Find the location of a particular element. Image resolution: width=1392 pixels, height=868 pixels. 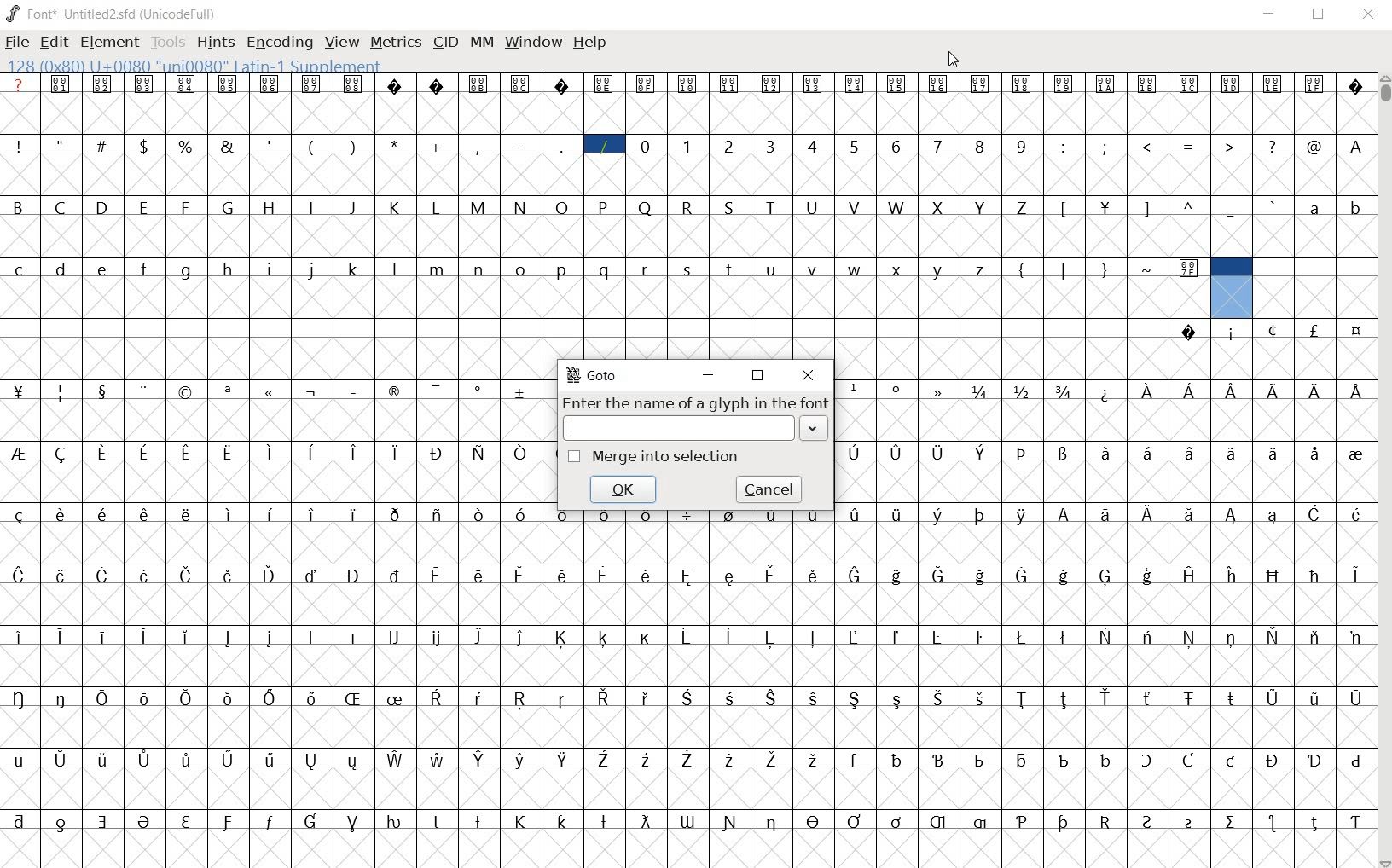

Symbol is located at coordinates (20, 819).